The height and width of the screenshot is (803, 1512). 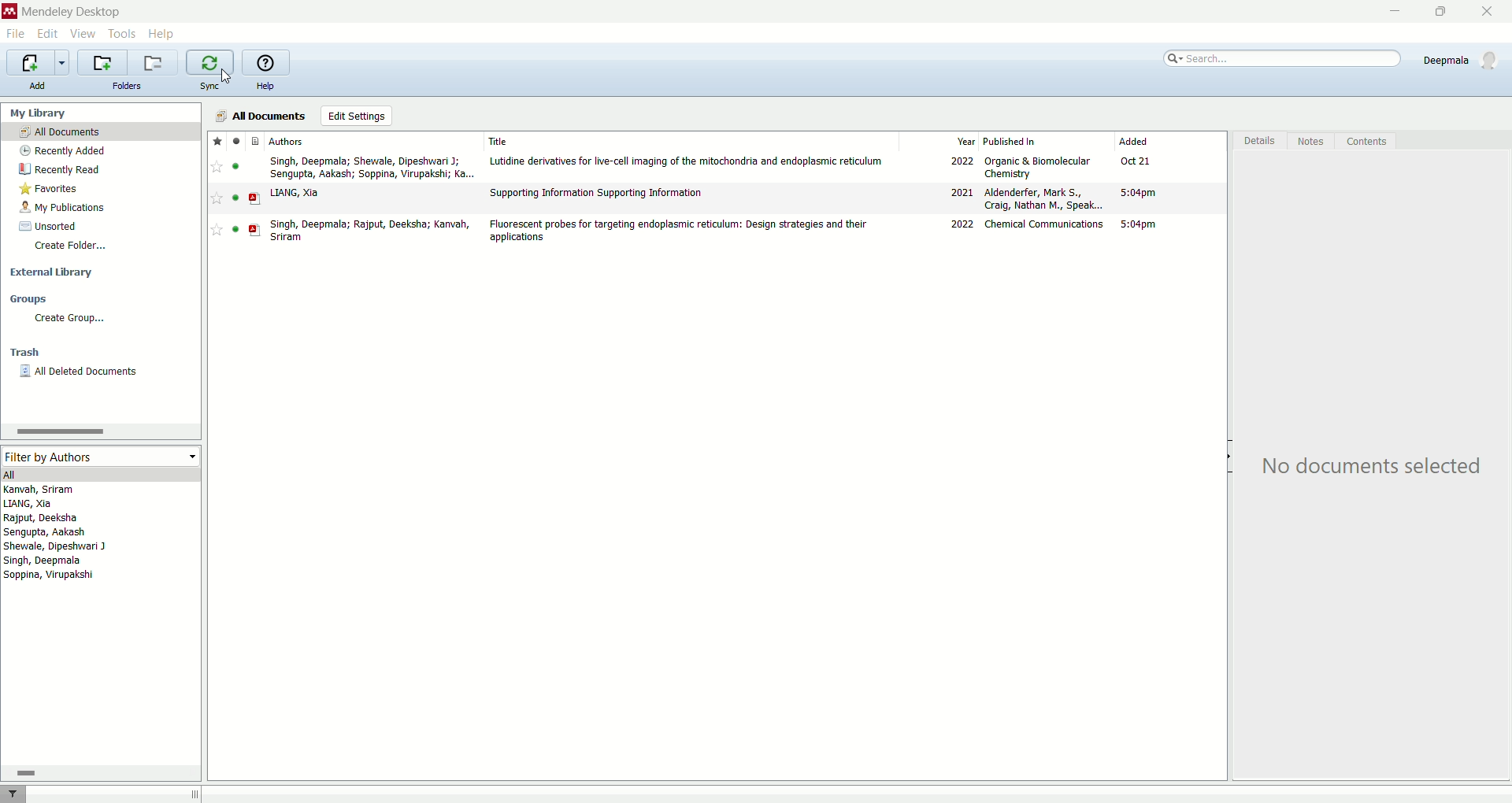 I want to click on title, so click(x=691, y=142).